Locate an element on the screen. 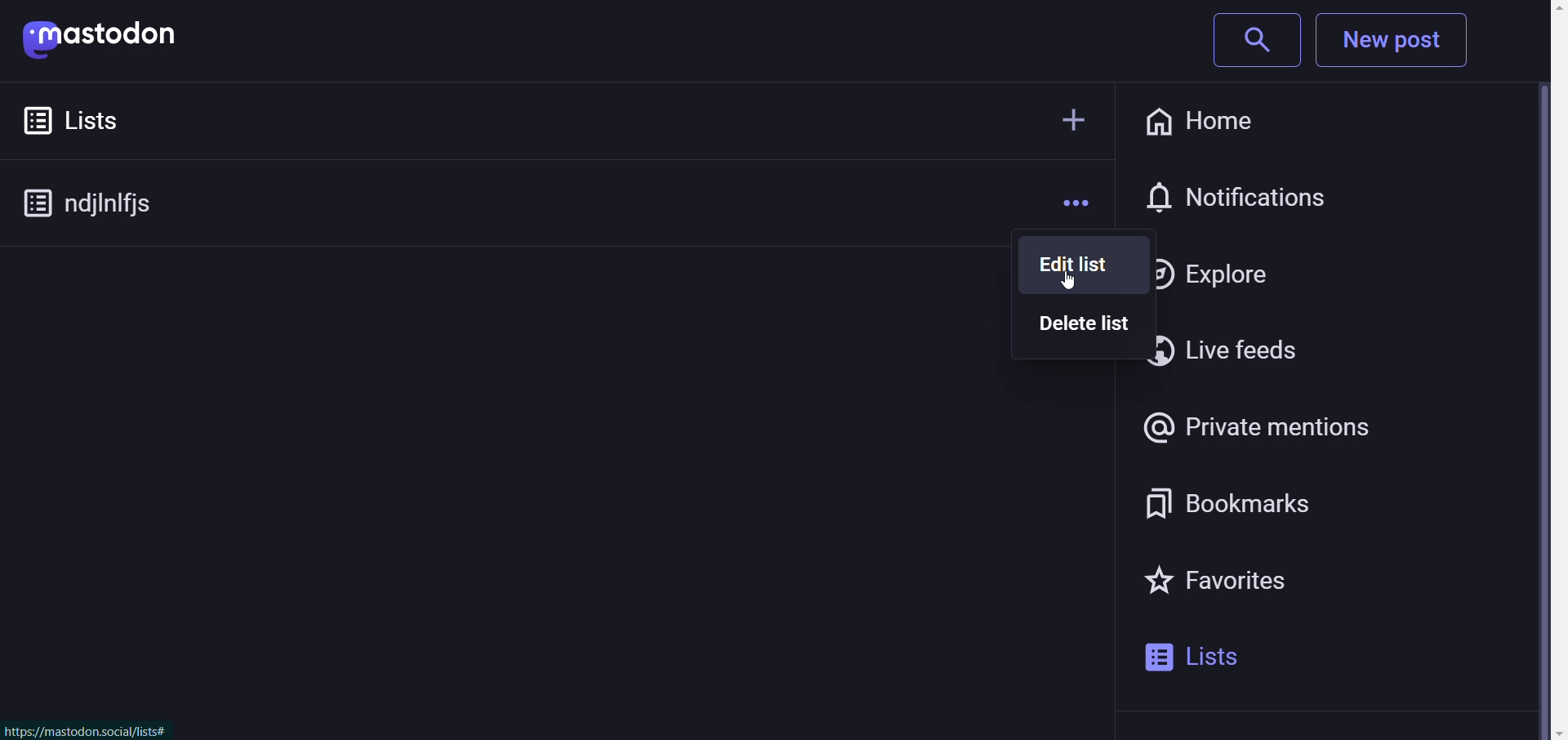 The width and height of the screenshot is (1568, 740). favorites is located at coordinates (1214, 585).